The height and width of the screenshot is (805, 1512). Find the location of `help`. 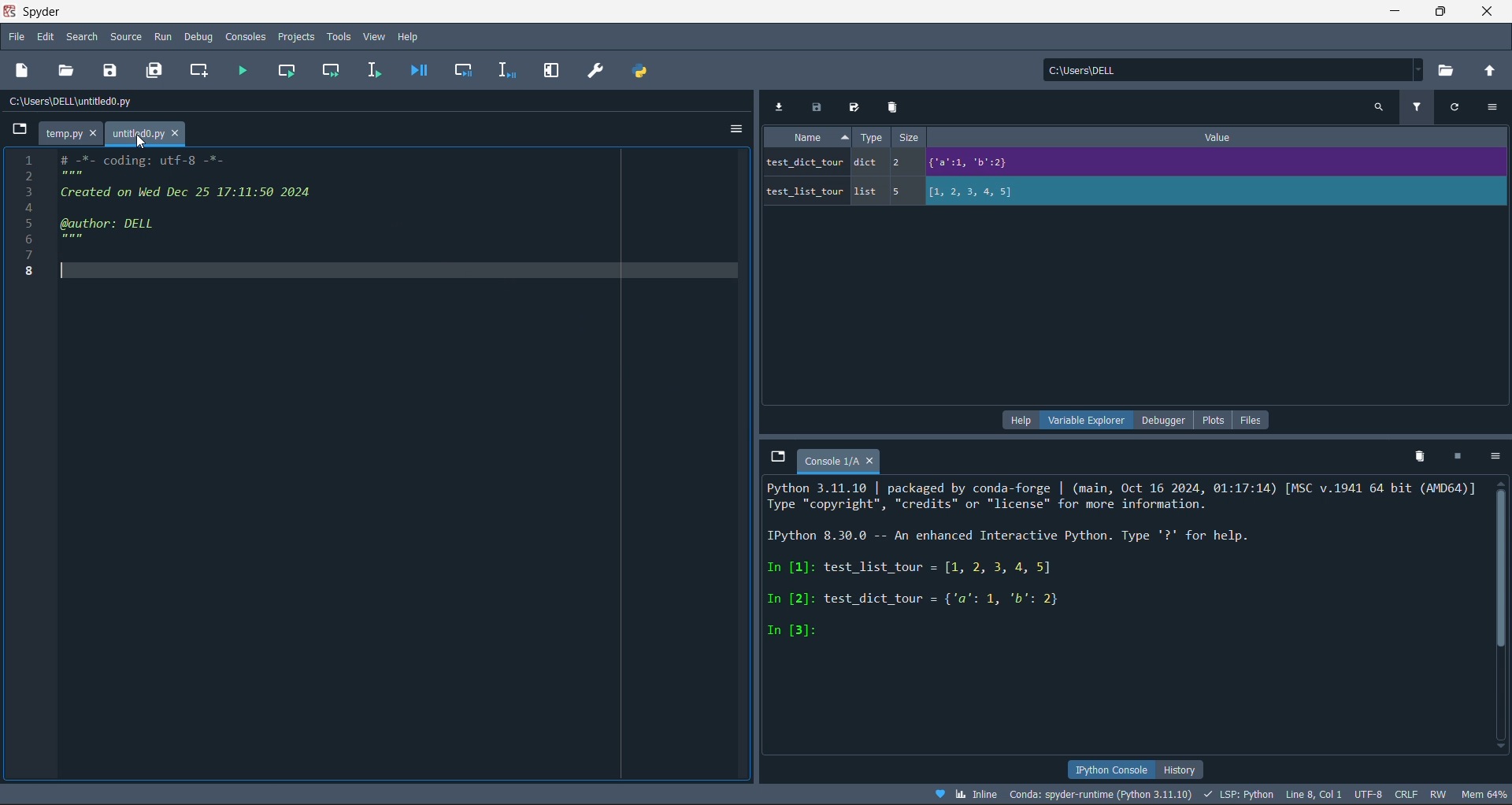

help is located at coordinates (406, 35).